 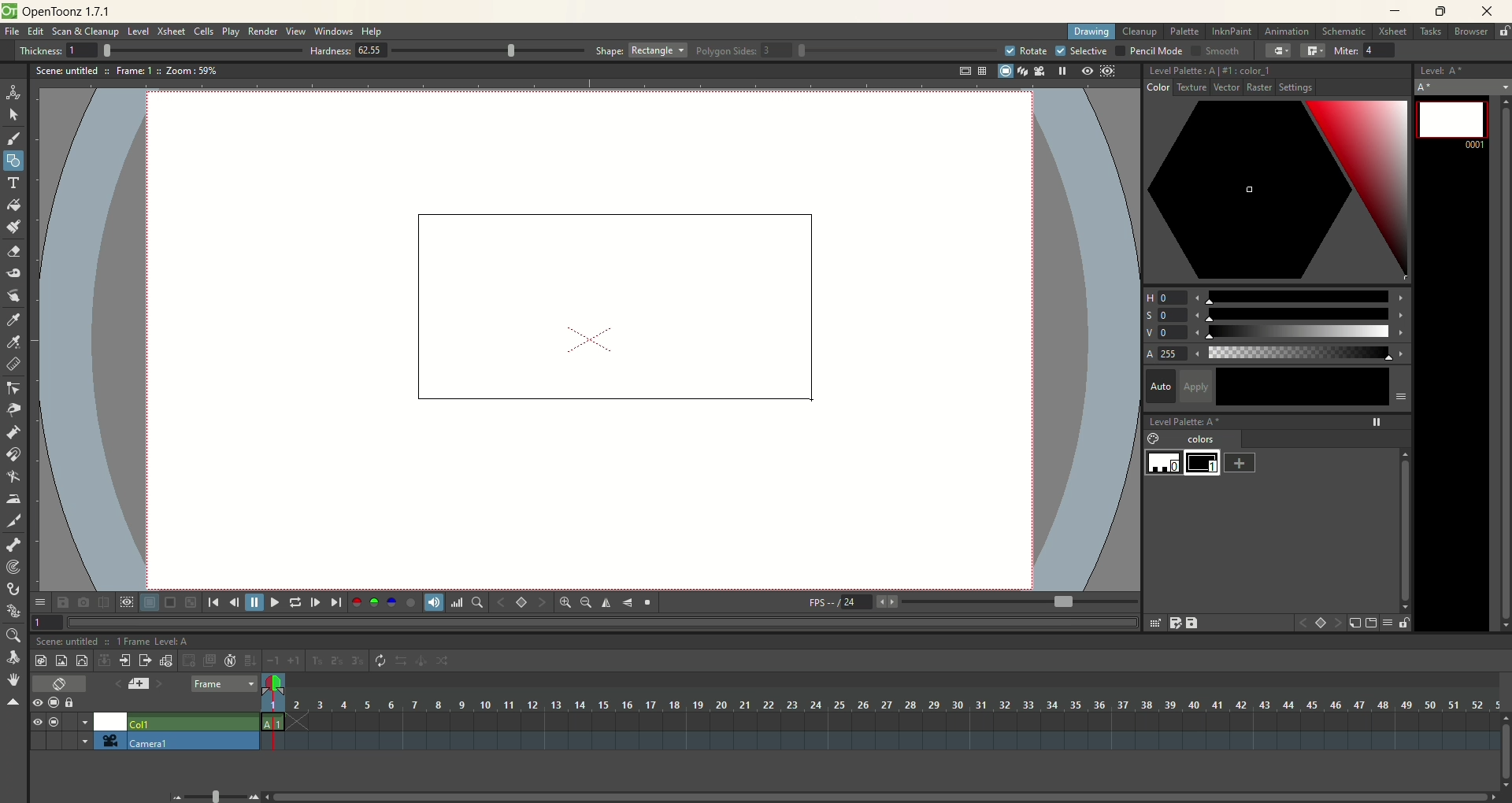 What do you see at coordinates (1109, 72) in the screenshot?
I see `sub-camera preview` at bounding box center [1109, 72].